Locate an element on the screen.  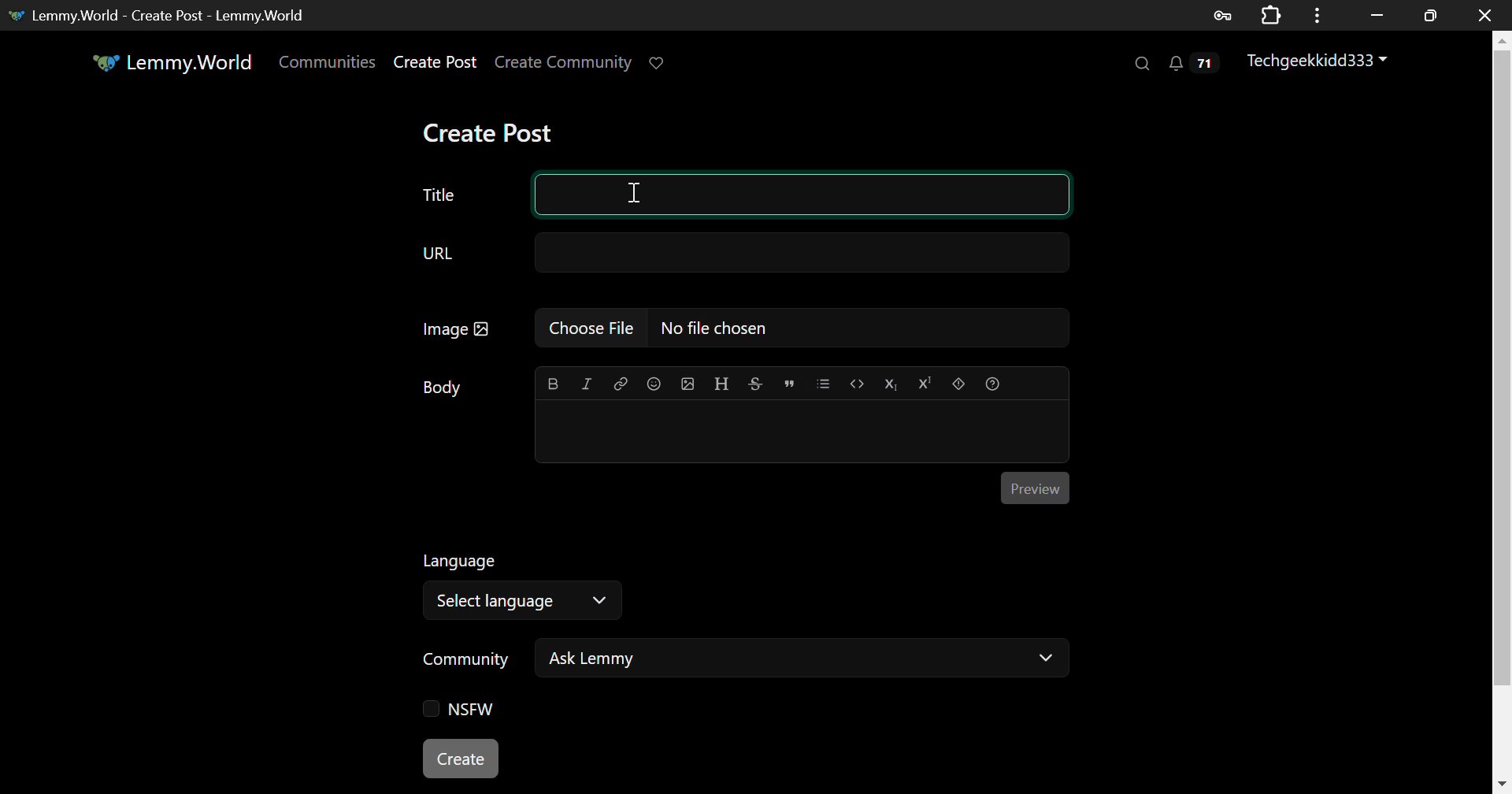
Menu is located at coordinates (1317, 15).